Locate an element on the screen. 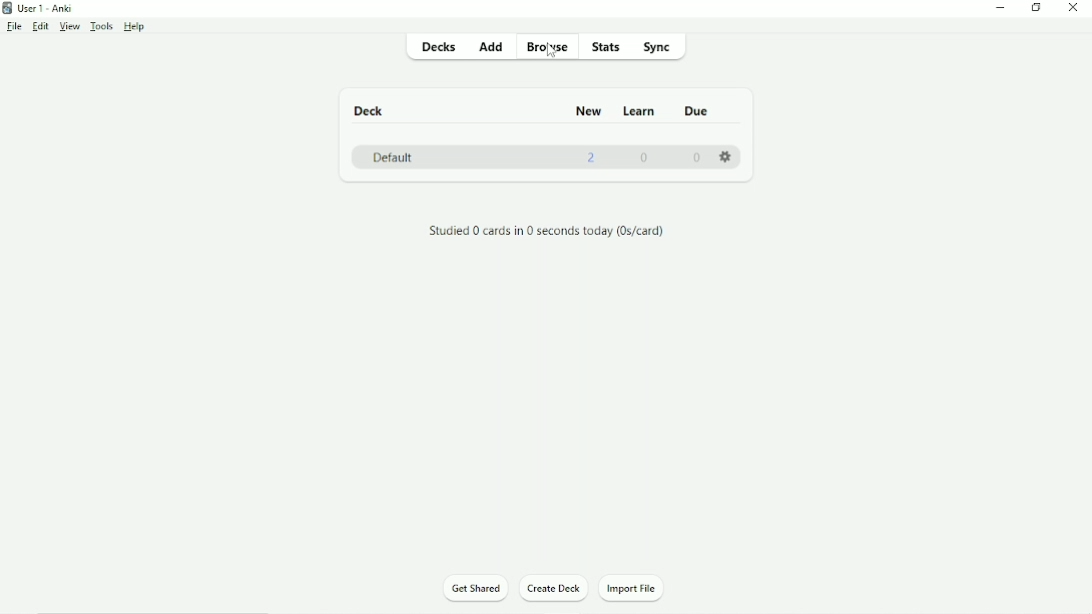 The image size is (1092, 614). Minimize is located at coordinates (999, 8).